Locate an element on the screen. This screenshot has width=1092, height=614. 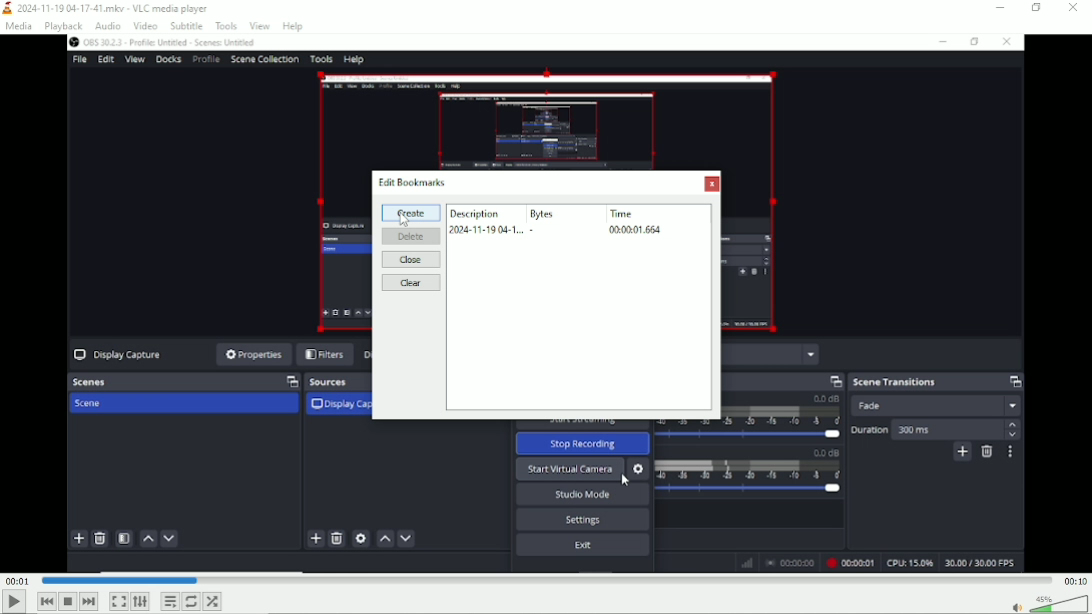
help is located at coordinates (295, 25).